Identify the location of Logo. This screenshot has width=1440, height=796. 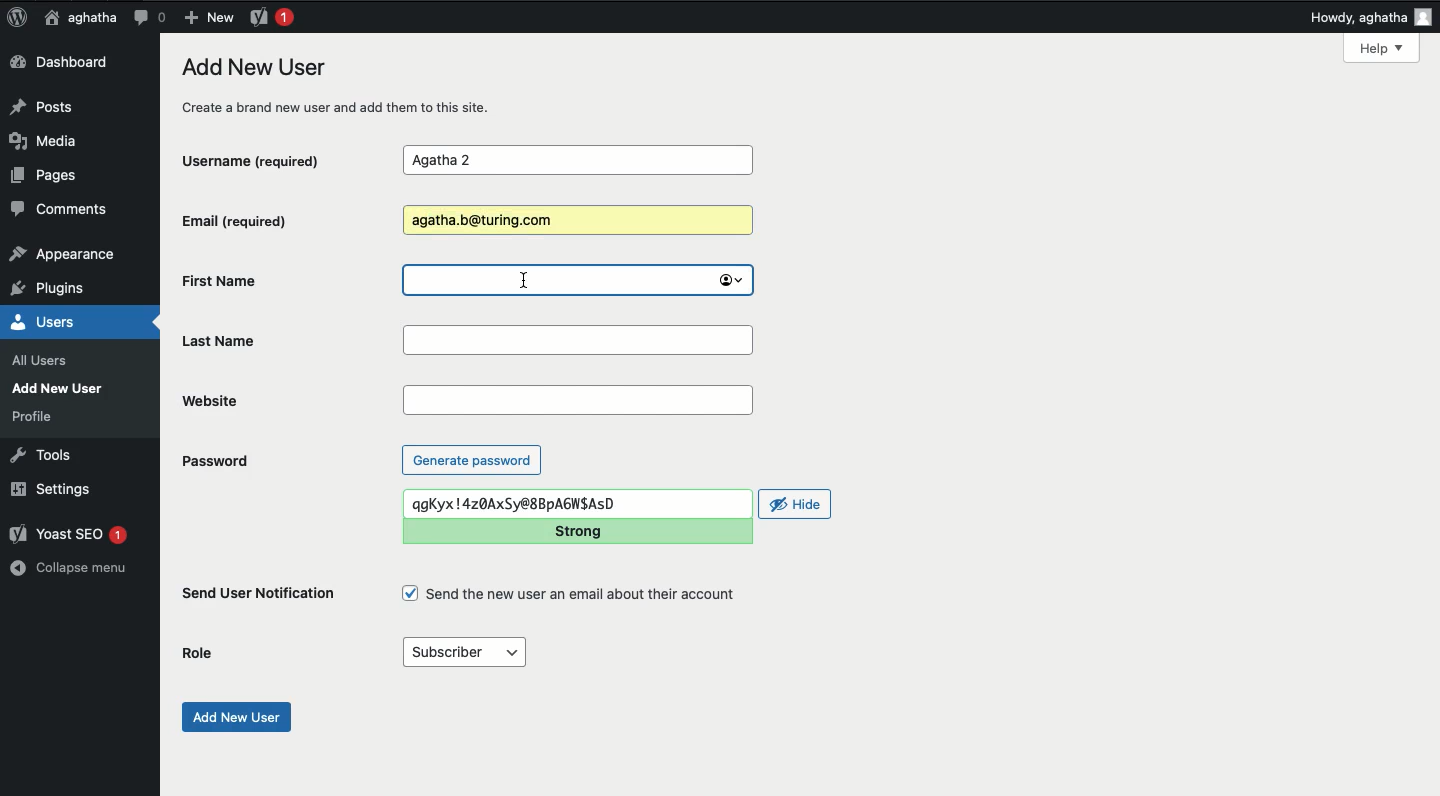
(17, 18).